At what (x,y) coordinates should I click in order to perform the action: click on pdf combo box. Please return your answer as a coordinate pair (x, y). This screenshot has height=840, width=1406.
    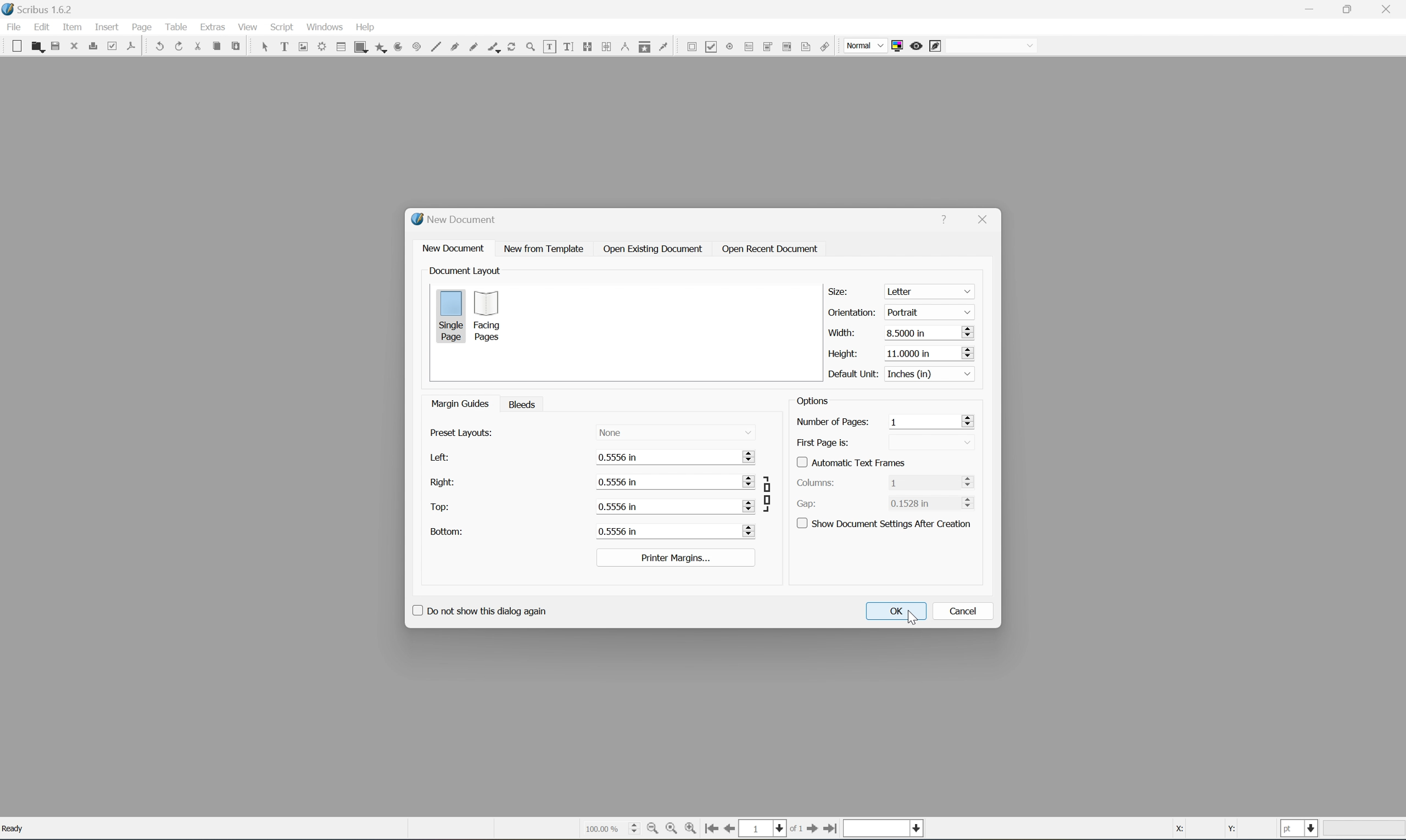
    Looking at the image, I should click on (767, 48).